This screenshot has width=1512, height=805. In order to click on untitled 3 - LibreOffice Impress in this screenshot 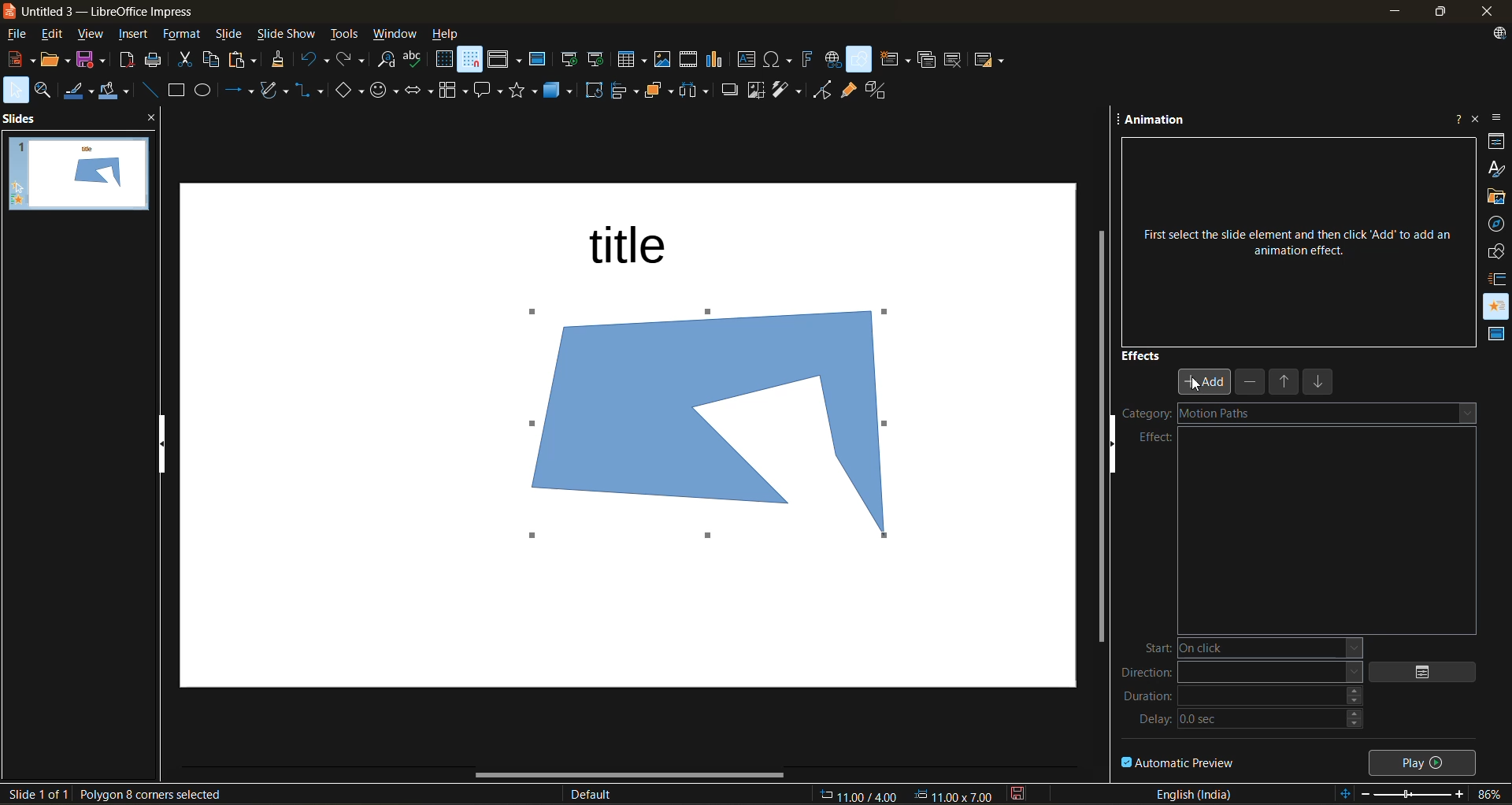, I will do `click(124, 9)`.